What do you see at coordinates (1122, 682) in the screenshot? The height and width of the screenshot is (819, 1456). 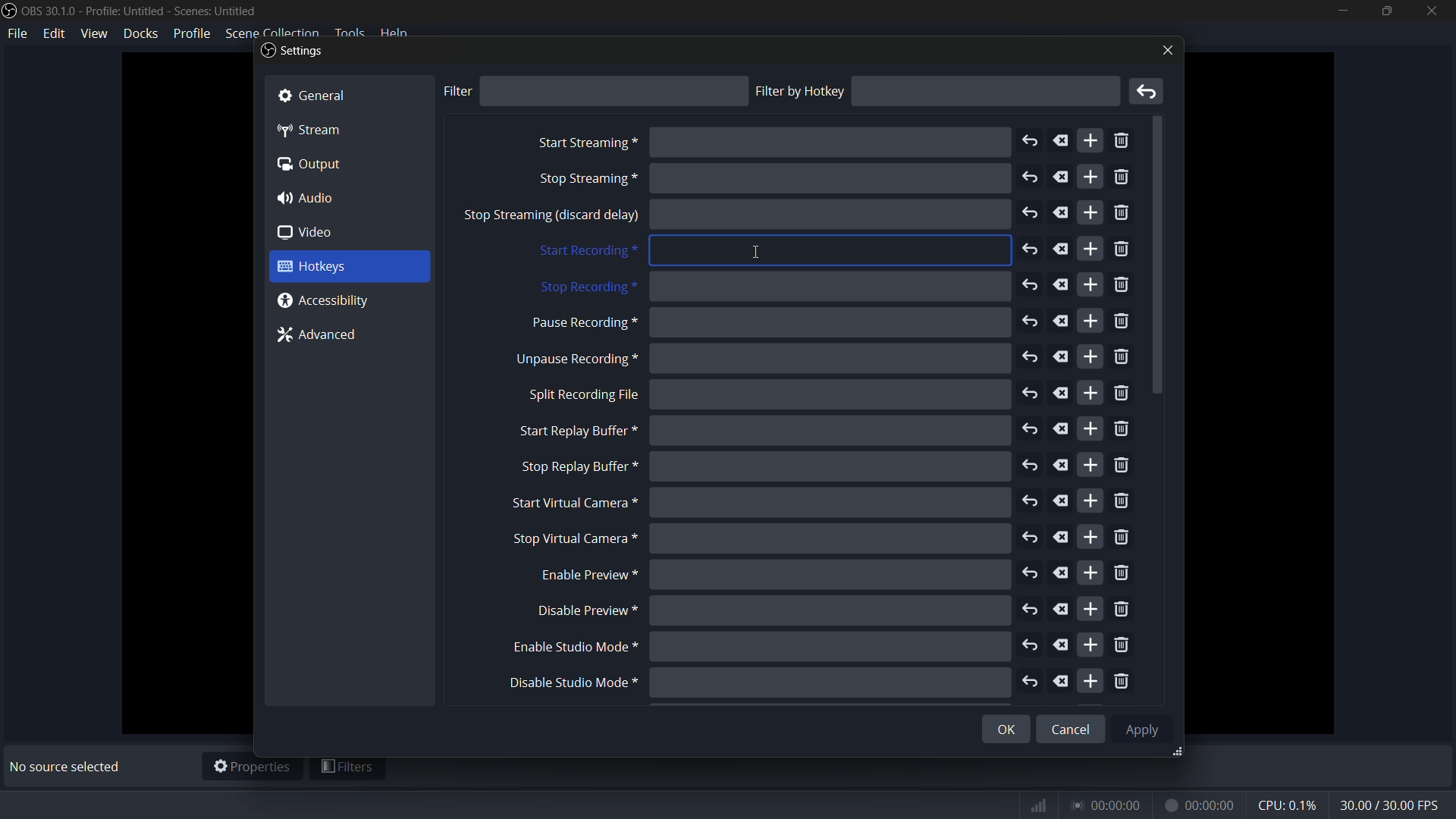 I see `remove` at bounding box center [1122, 682].